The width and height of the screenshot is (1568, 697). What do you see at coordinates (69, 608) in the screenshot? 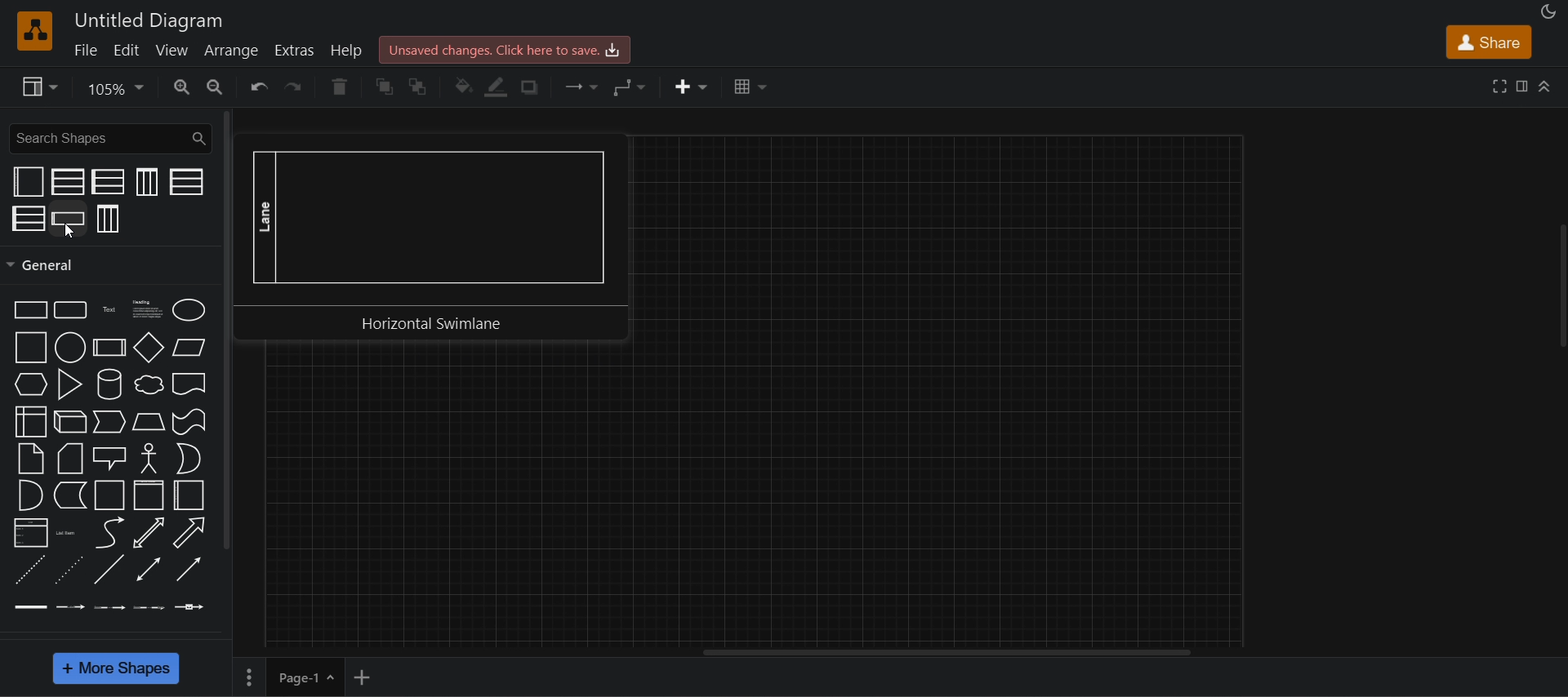
I see `connector with label` at bounding box center [69, 608].